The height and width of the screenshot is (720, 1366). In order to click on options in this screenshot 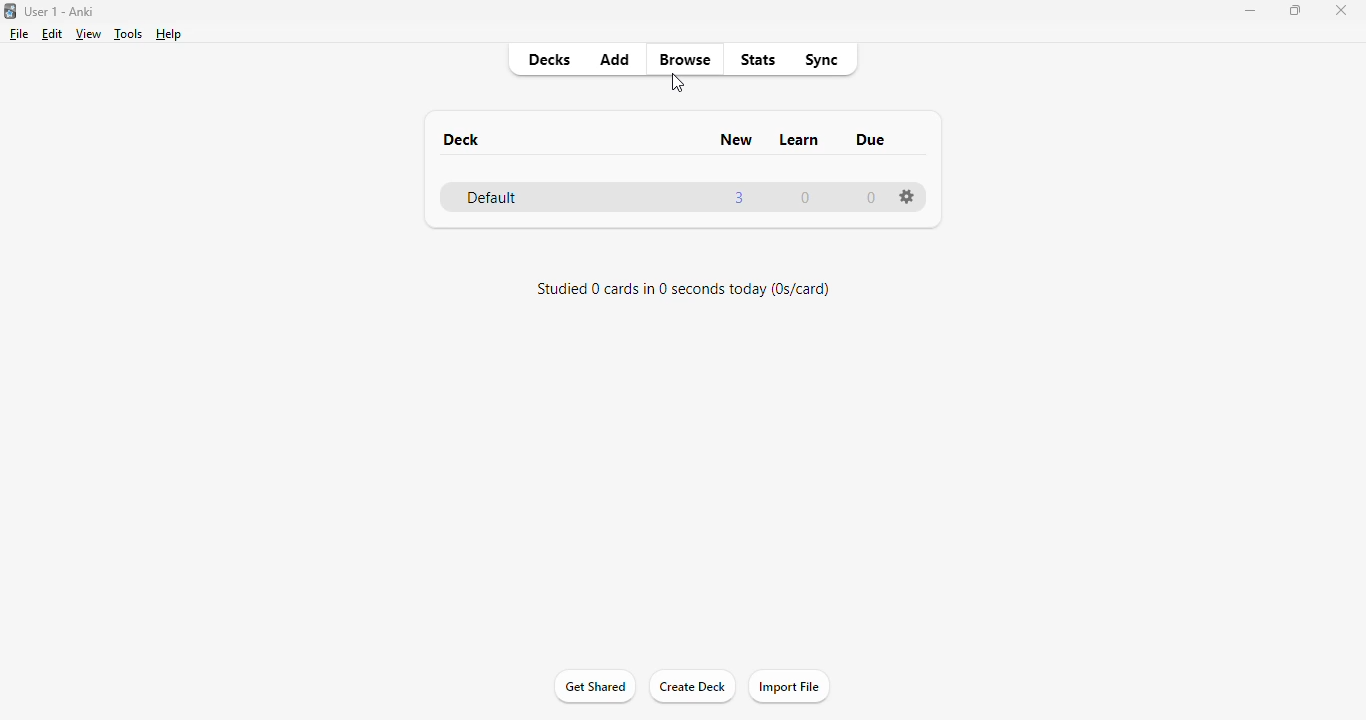, I will do `click(907, 196)`.